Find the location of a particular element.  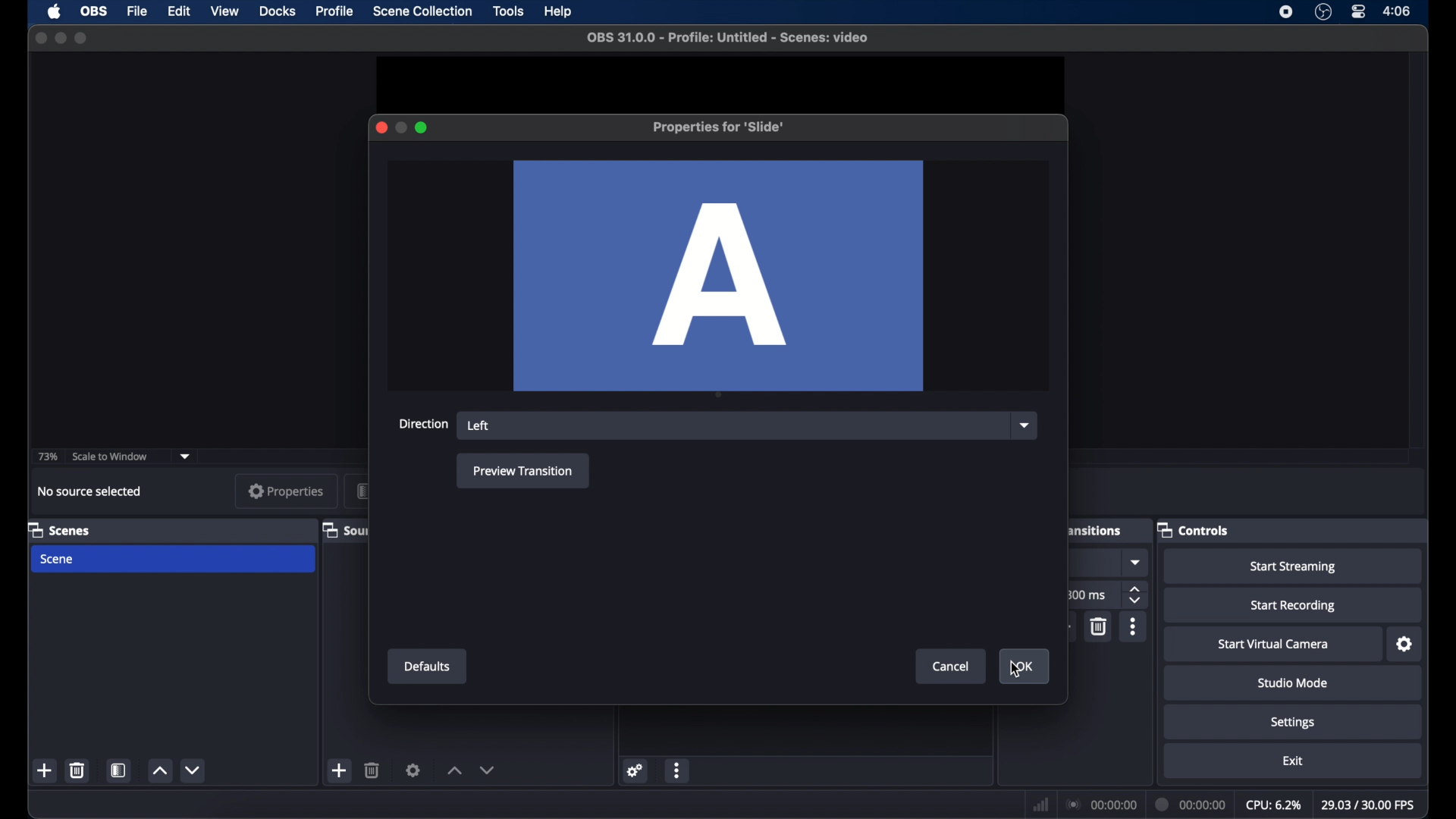

maximize is located at coordinates (83, 38).